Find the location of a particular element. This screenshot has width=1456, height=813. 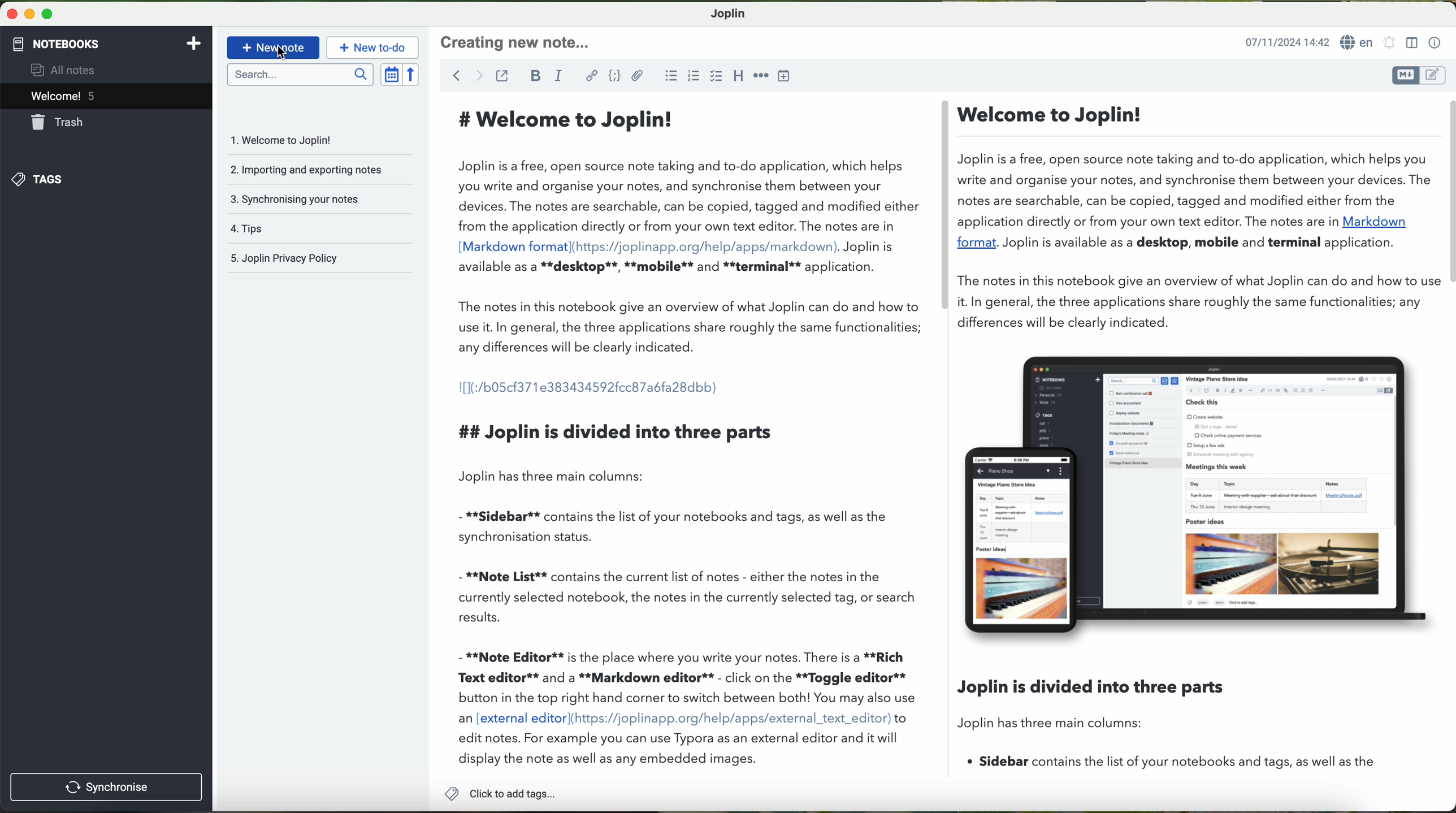

Joplin is located at coordinates (727, 13).